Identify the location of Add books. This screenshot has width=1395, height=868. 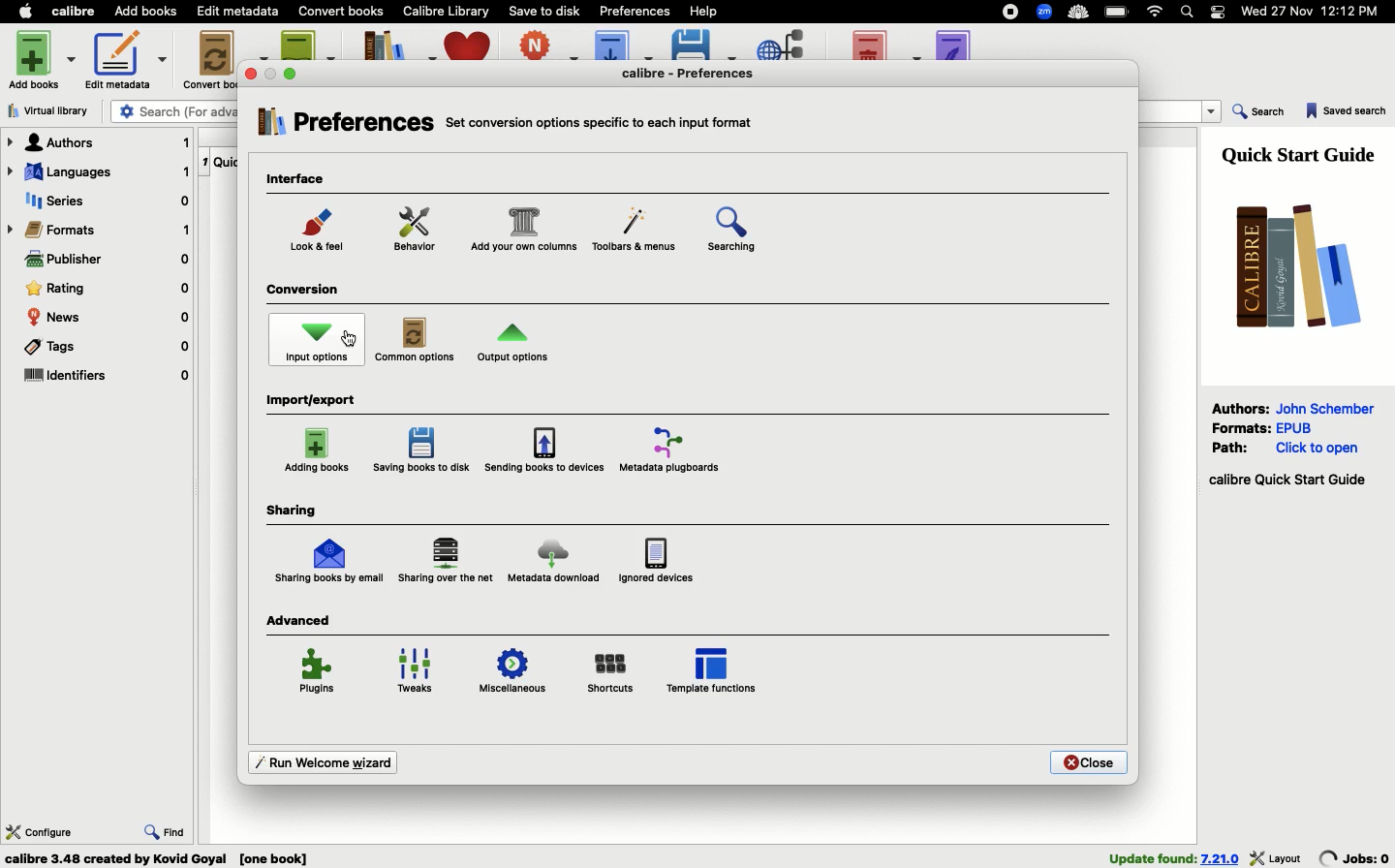
(45, 58).